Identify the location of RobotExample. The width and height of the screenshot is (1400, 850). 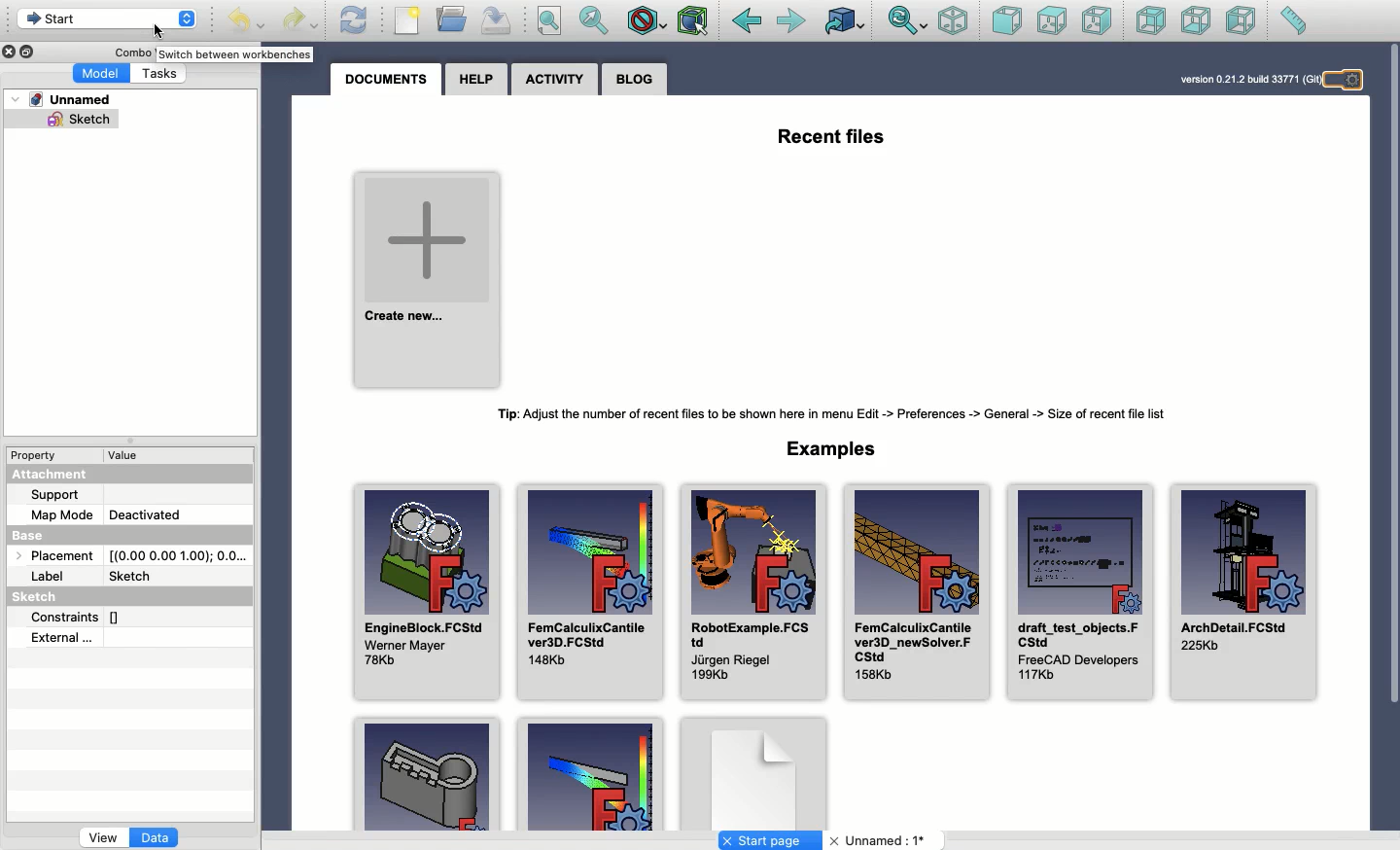
(754, 593).